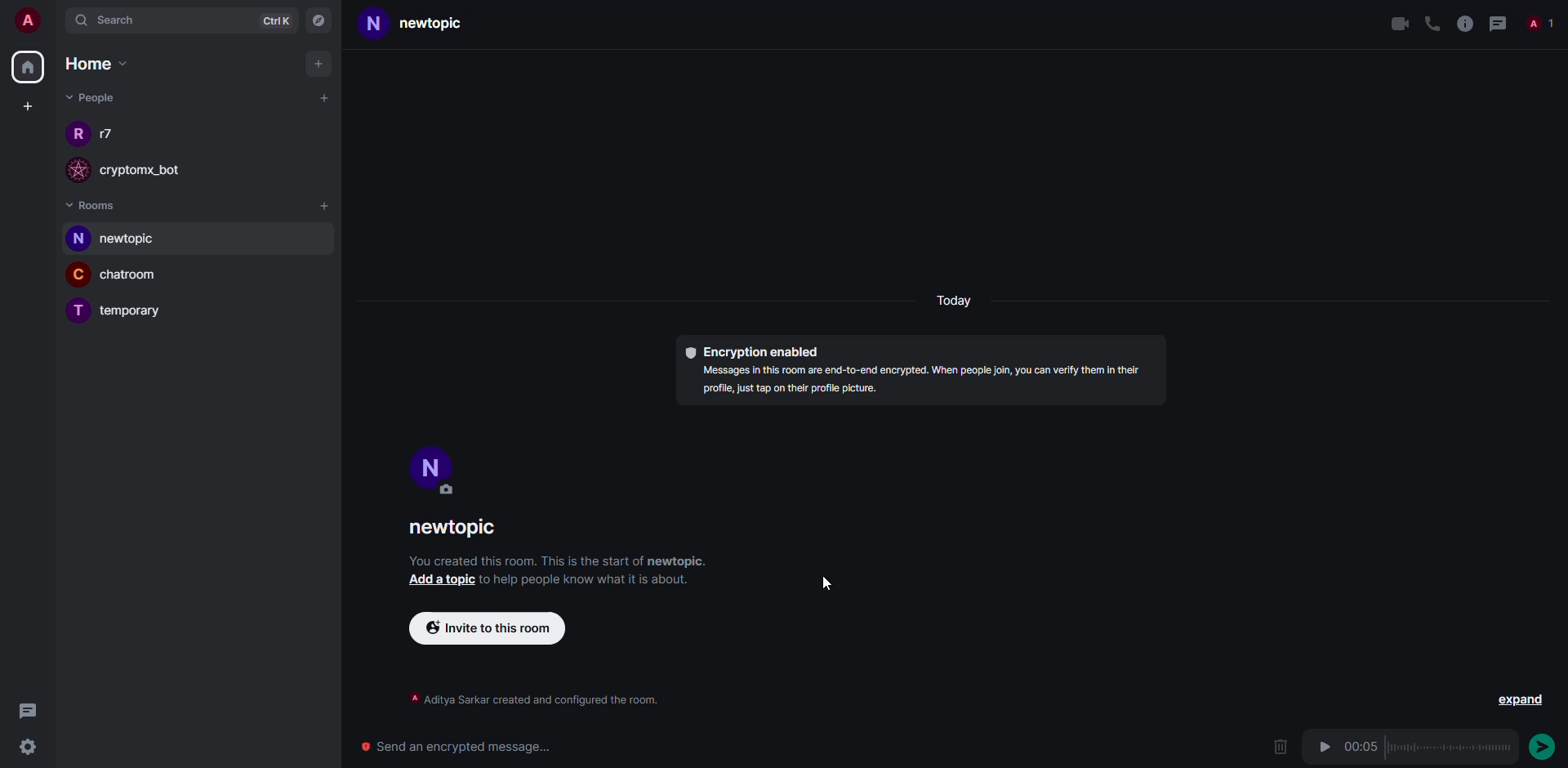 The width and height of the screenshot is (1568, 768). I want to click on expand, so click(1517, 703).